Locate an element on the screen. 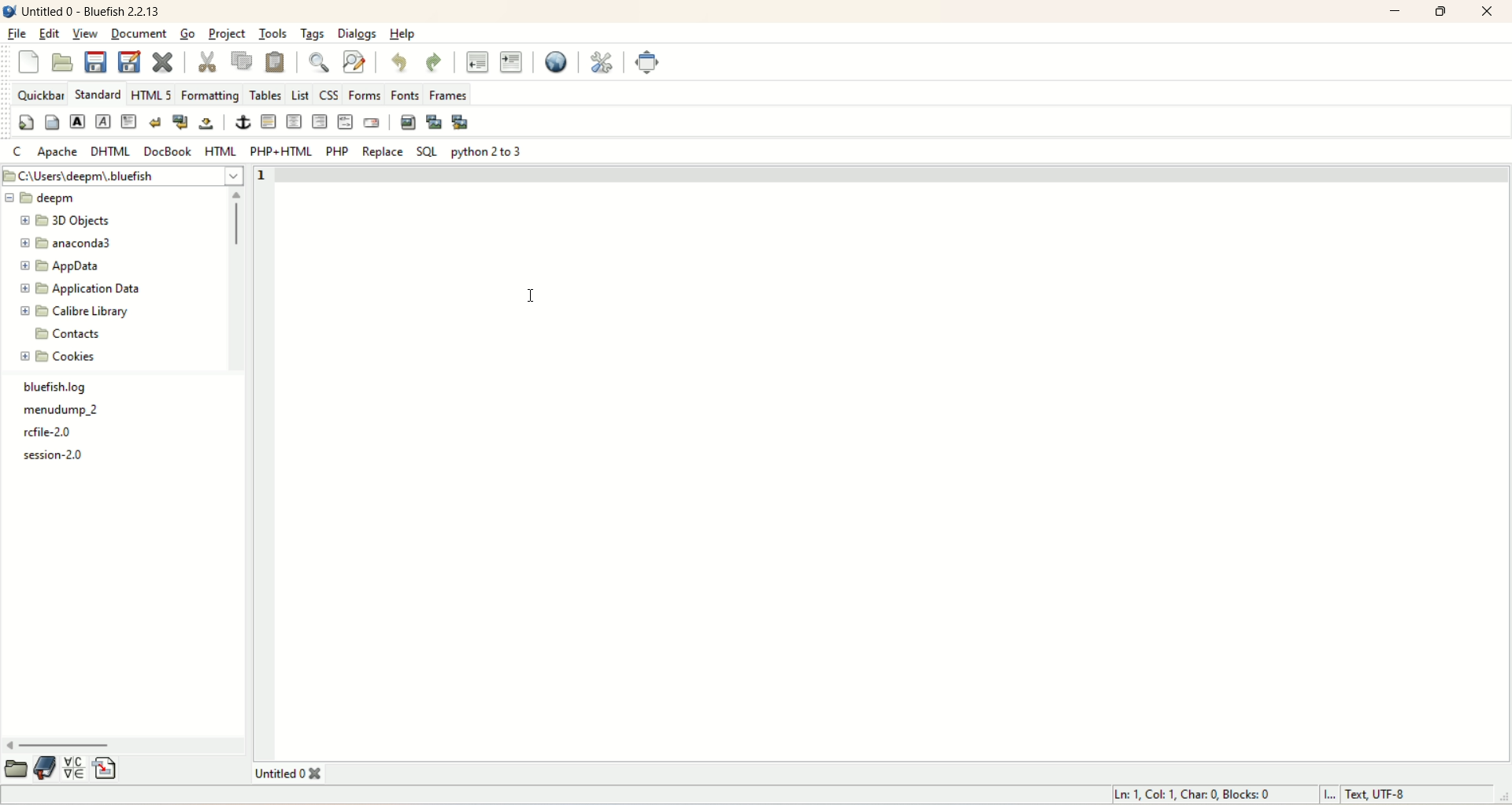 The width and height of the screenshot is (1512, 805). paragraph is located at coordinates (132, 121).